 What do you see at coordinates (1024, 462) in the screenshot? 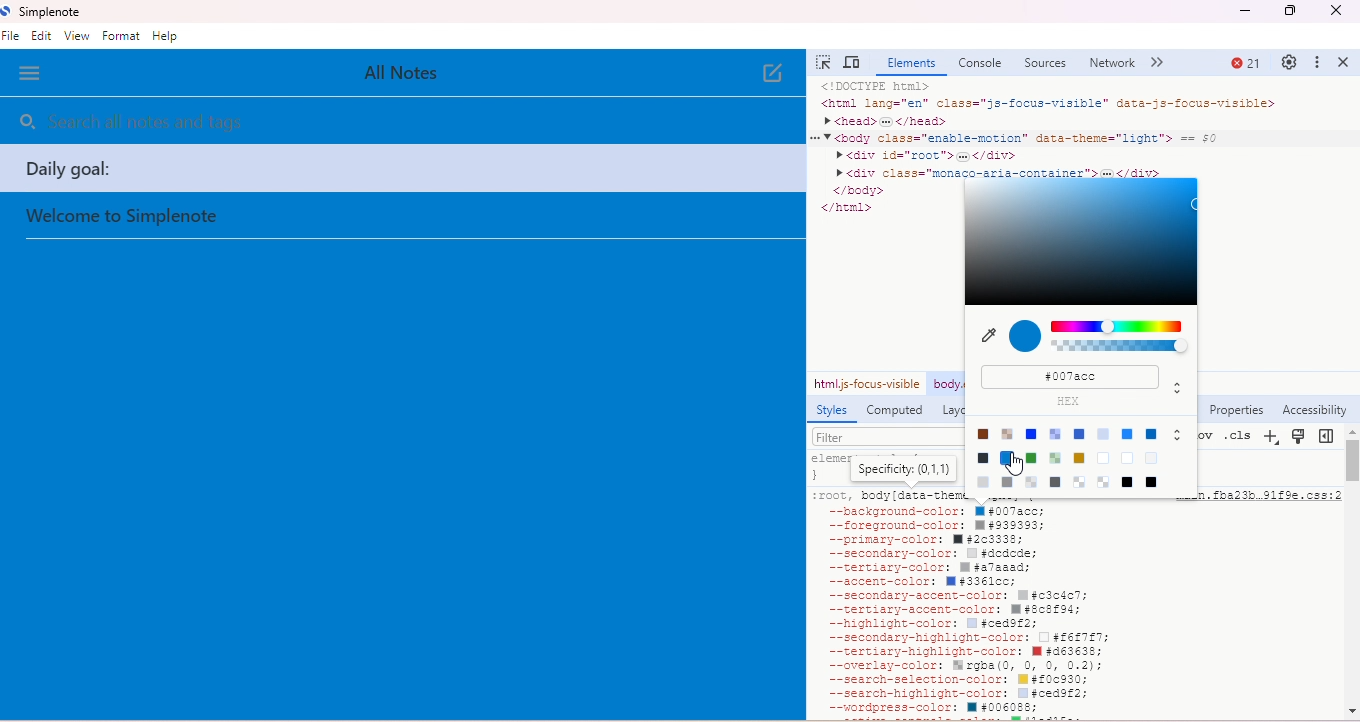
I see `cursor movement` at bounding box center [1024, 462].